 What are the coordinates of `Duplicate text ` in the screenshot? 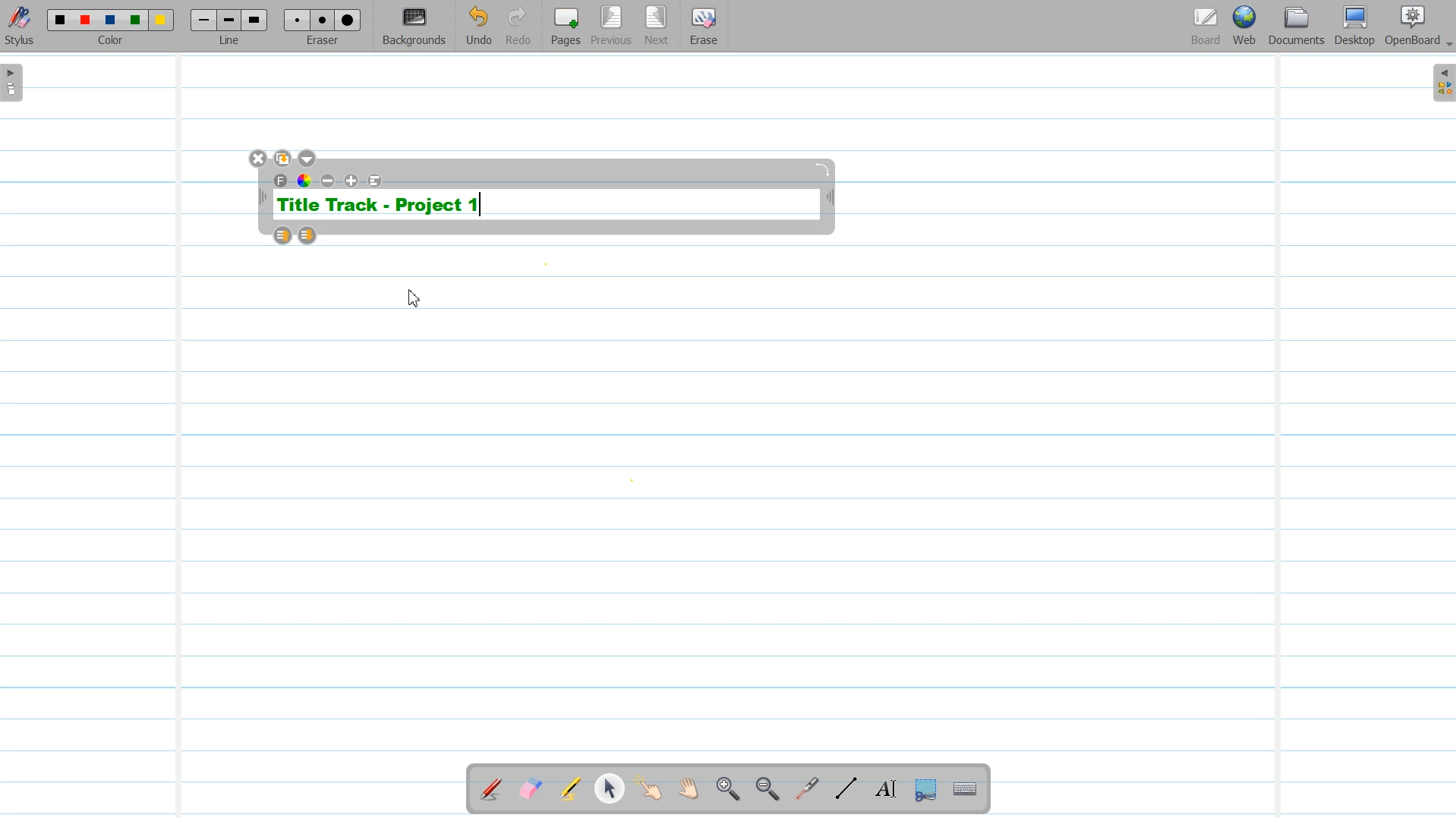 It's located at (284, 159).